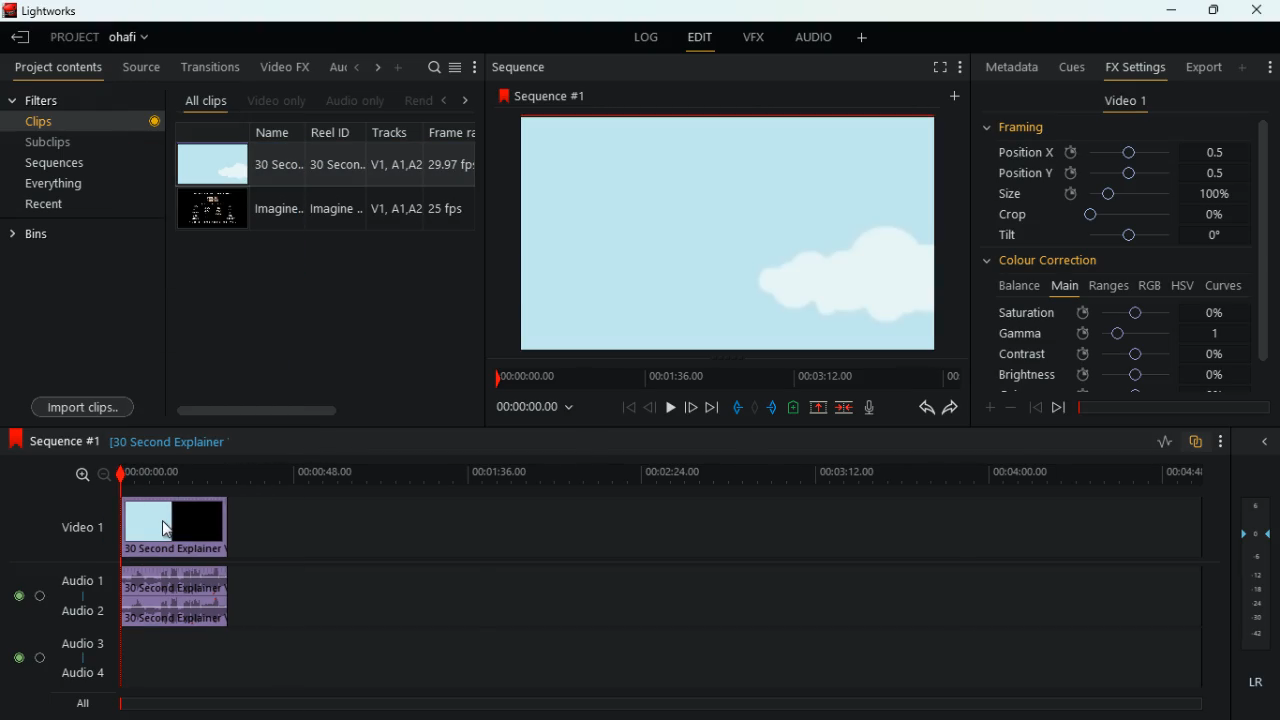 The image size is (1280, 720). Describe the element at coordinates (1182, 285) in the screenshot. I see `hsv` at that location.